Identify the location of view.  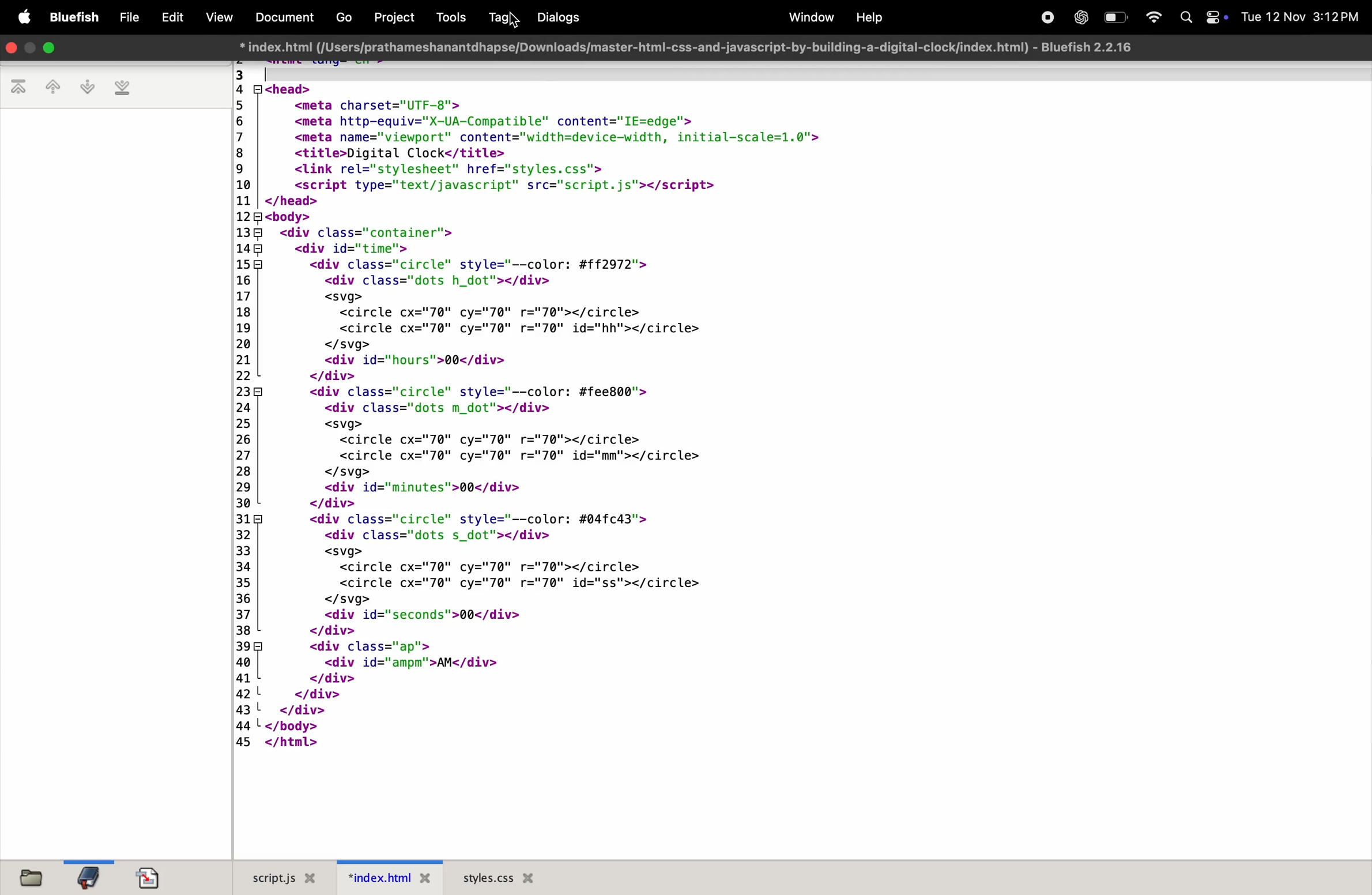
(217, 17).